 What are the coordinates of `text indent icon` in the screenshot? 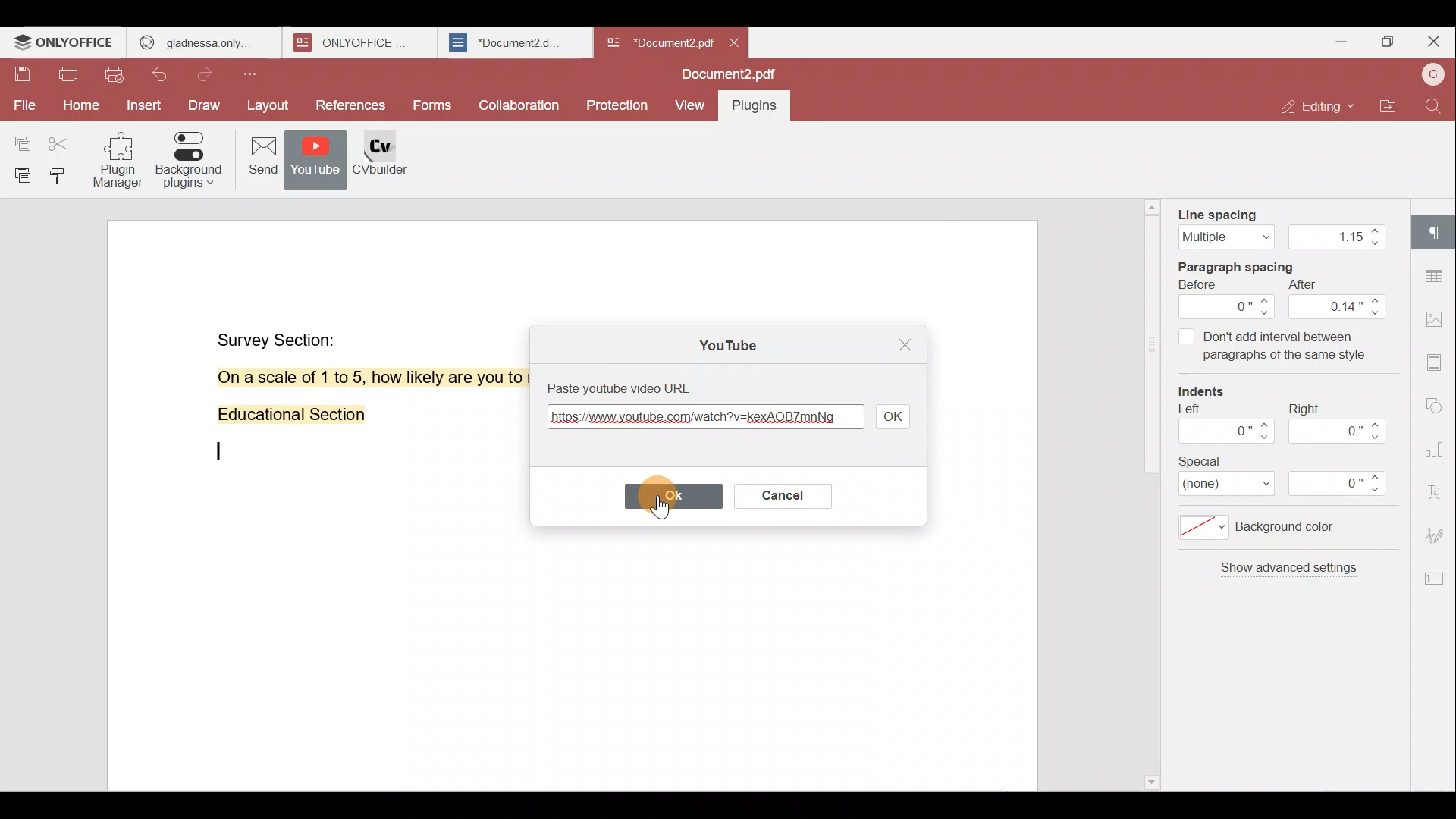 It's located at (212, 458).